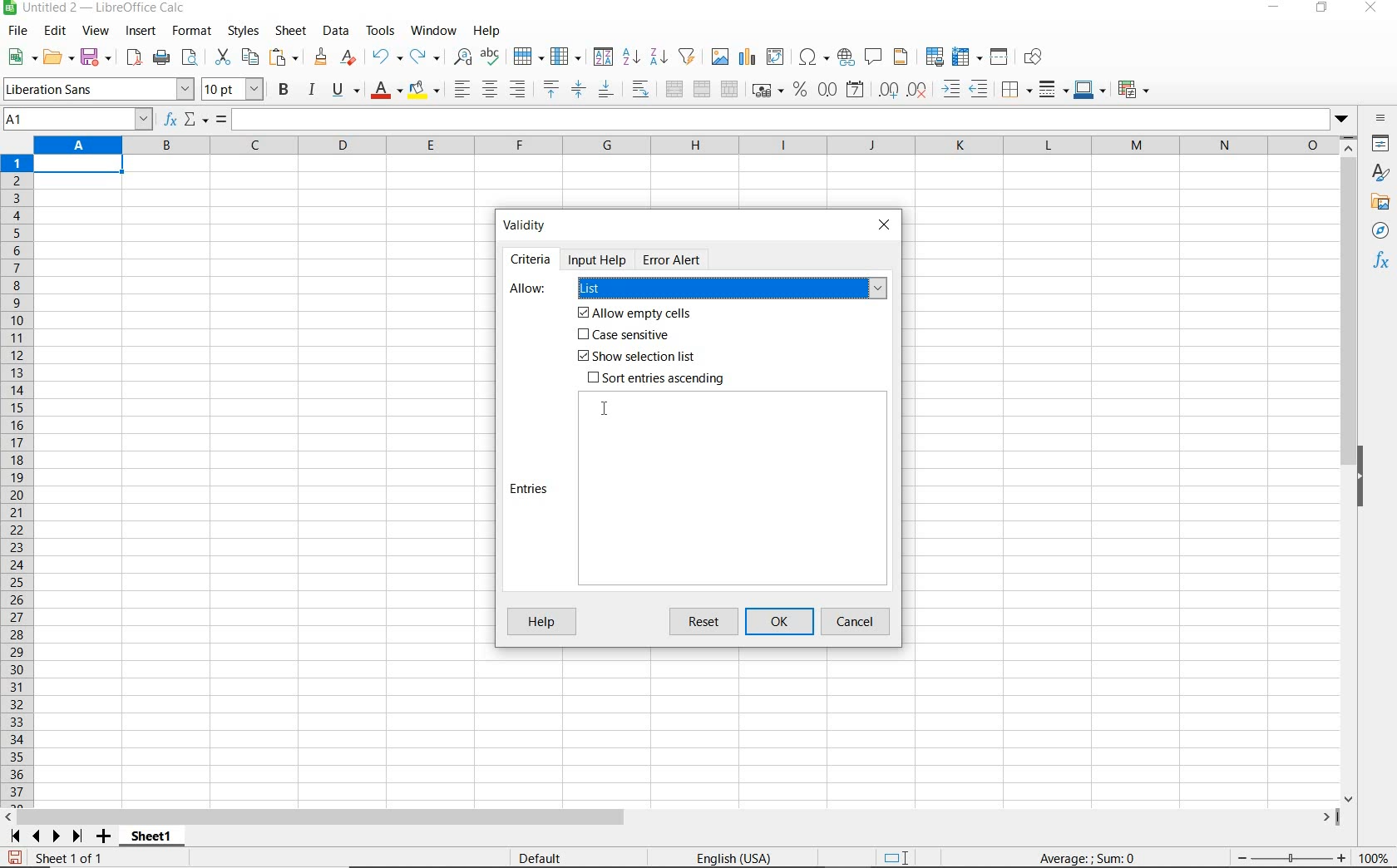 This screenshot has width=1397, height=868. What do you see at coordinates (531, 489) in the screenshot?
I see `Entries` at bounding box center [531, 489].